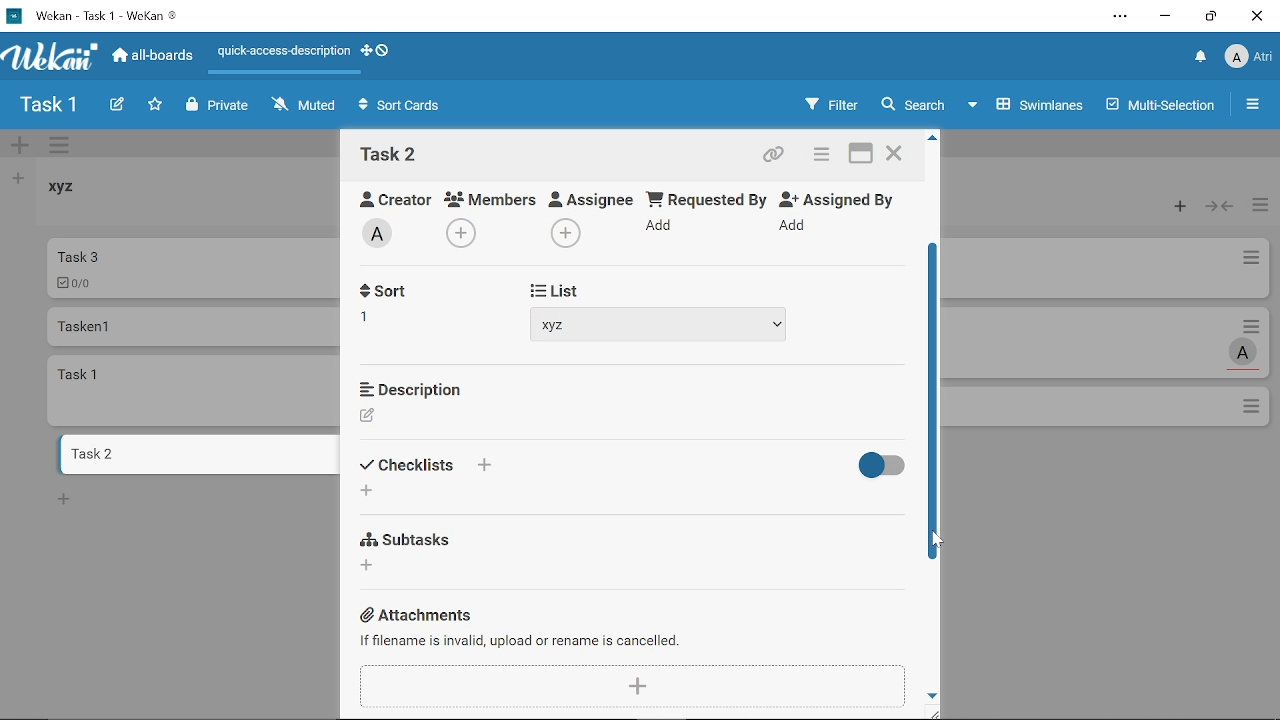 The height and width of the screenshot is (720, 1280). Describe the element at coordinates (933, 138) in the screenshot. I see `Move up` at that location.